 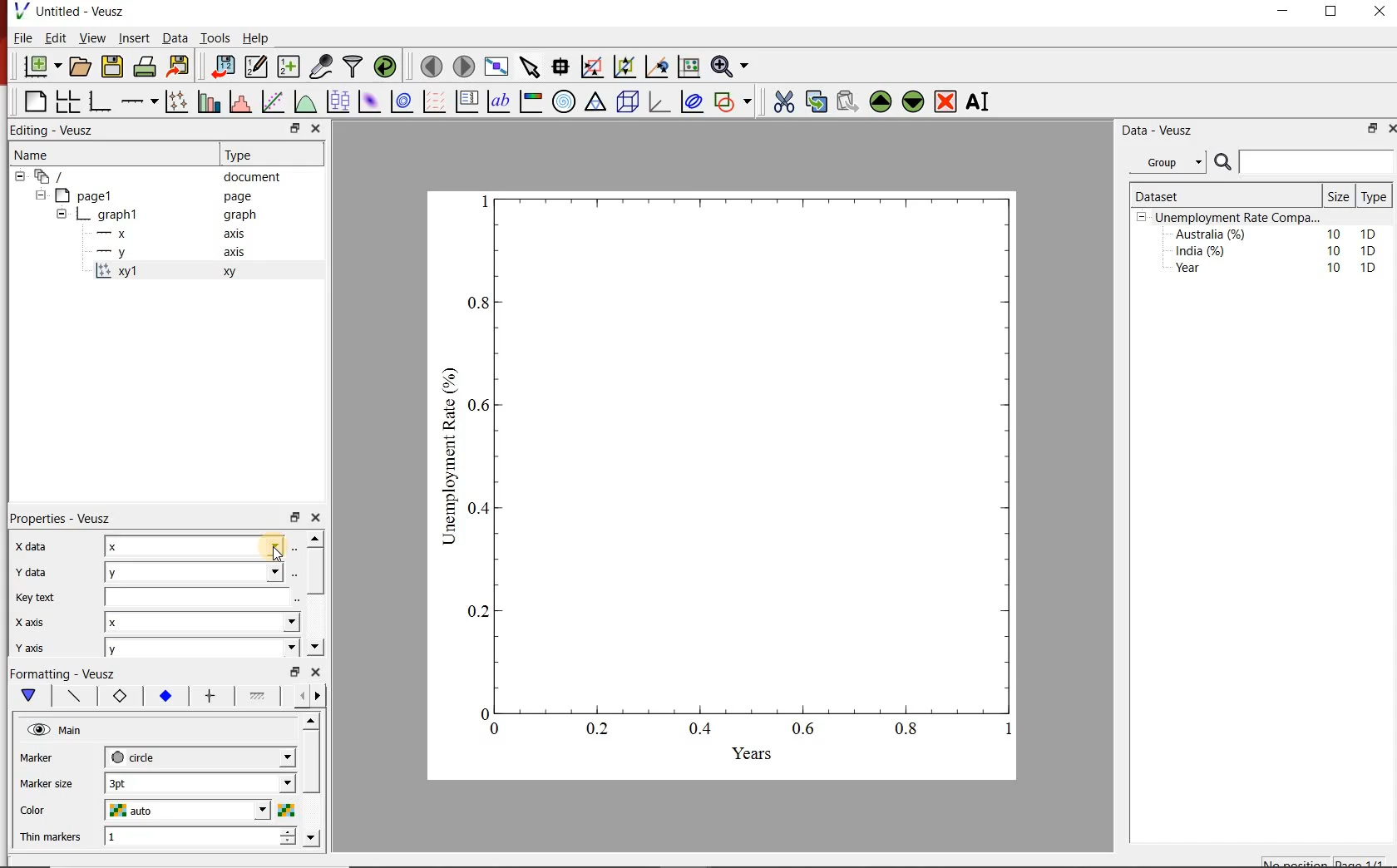 What do you see at coordinates (314, 569) in the screenshot?
I see `scroll bar` at bounding box center [314, 569].